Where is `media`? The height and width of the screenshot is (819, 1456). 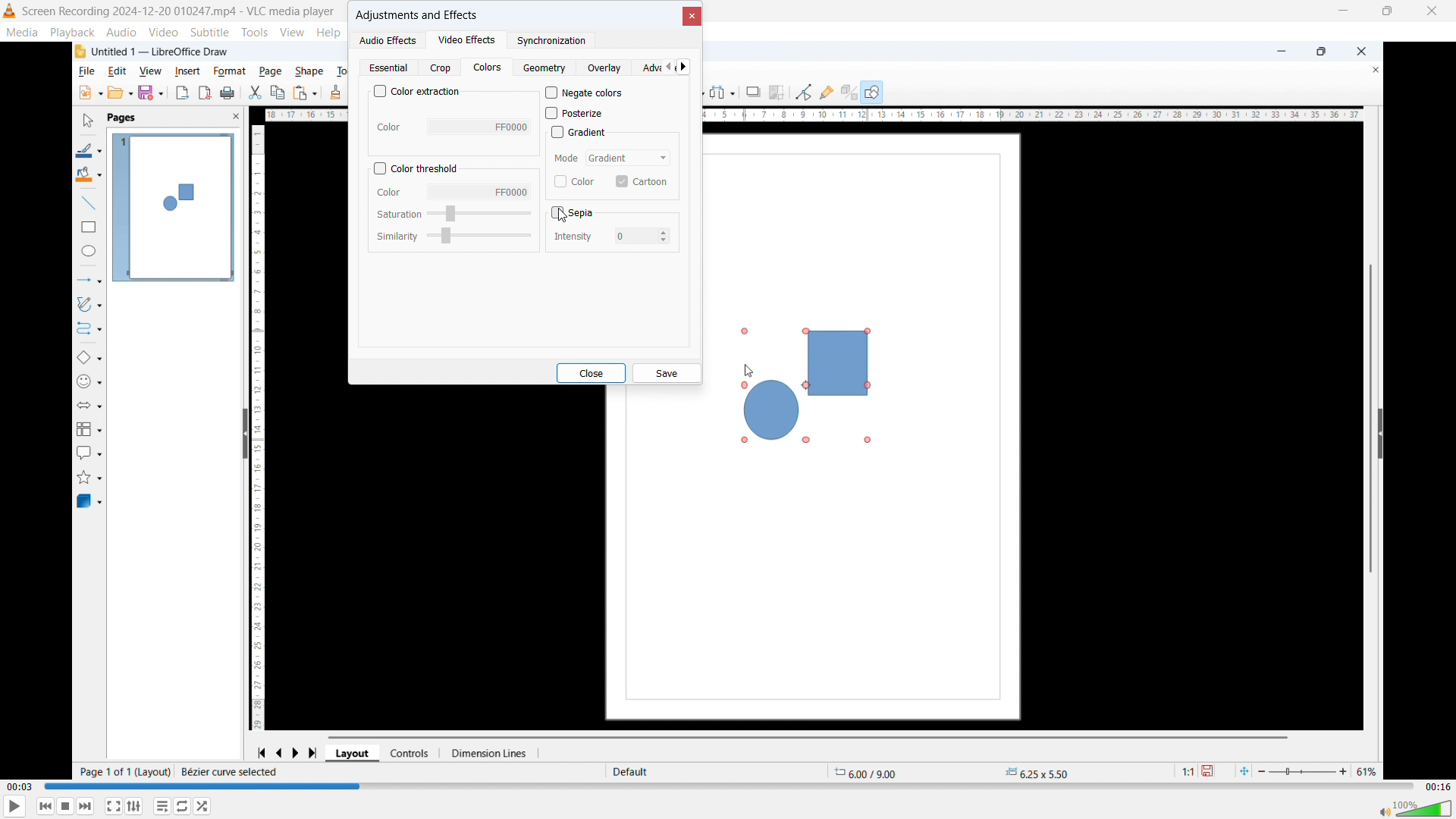
media is located at coordinates (22, 31).